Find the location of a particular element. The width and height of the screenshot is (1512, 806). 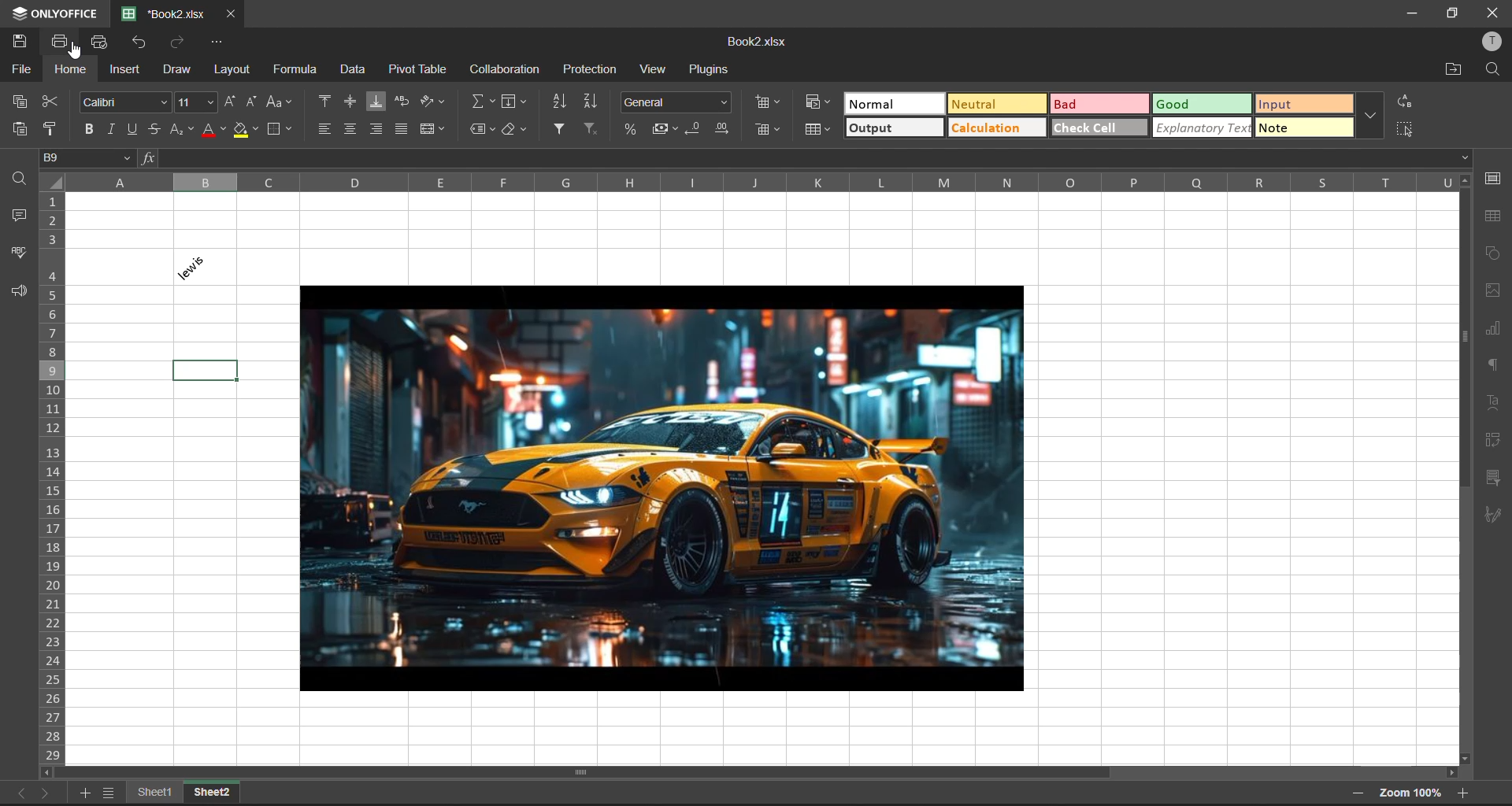

images is located at coordinates (1488, 290).